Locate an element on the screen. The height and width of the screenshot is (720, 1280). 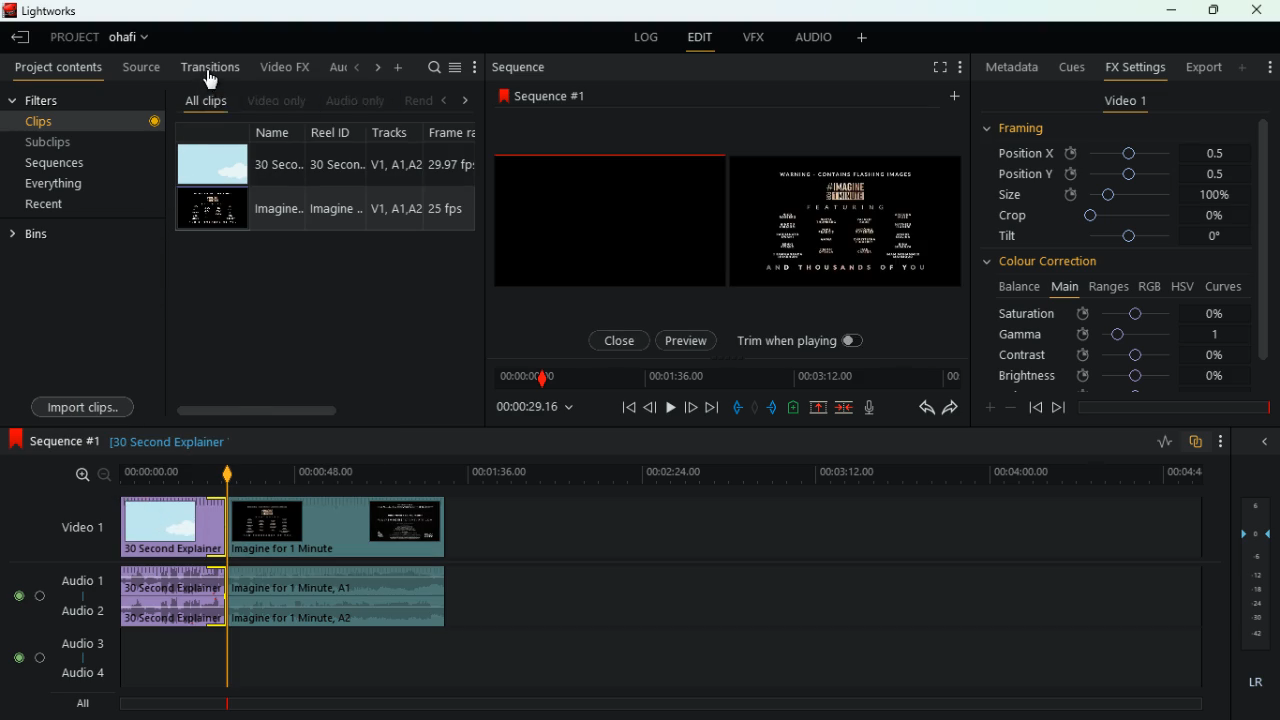
pull is located at coordinates (737, 408).